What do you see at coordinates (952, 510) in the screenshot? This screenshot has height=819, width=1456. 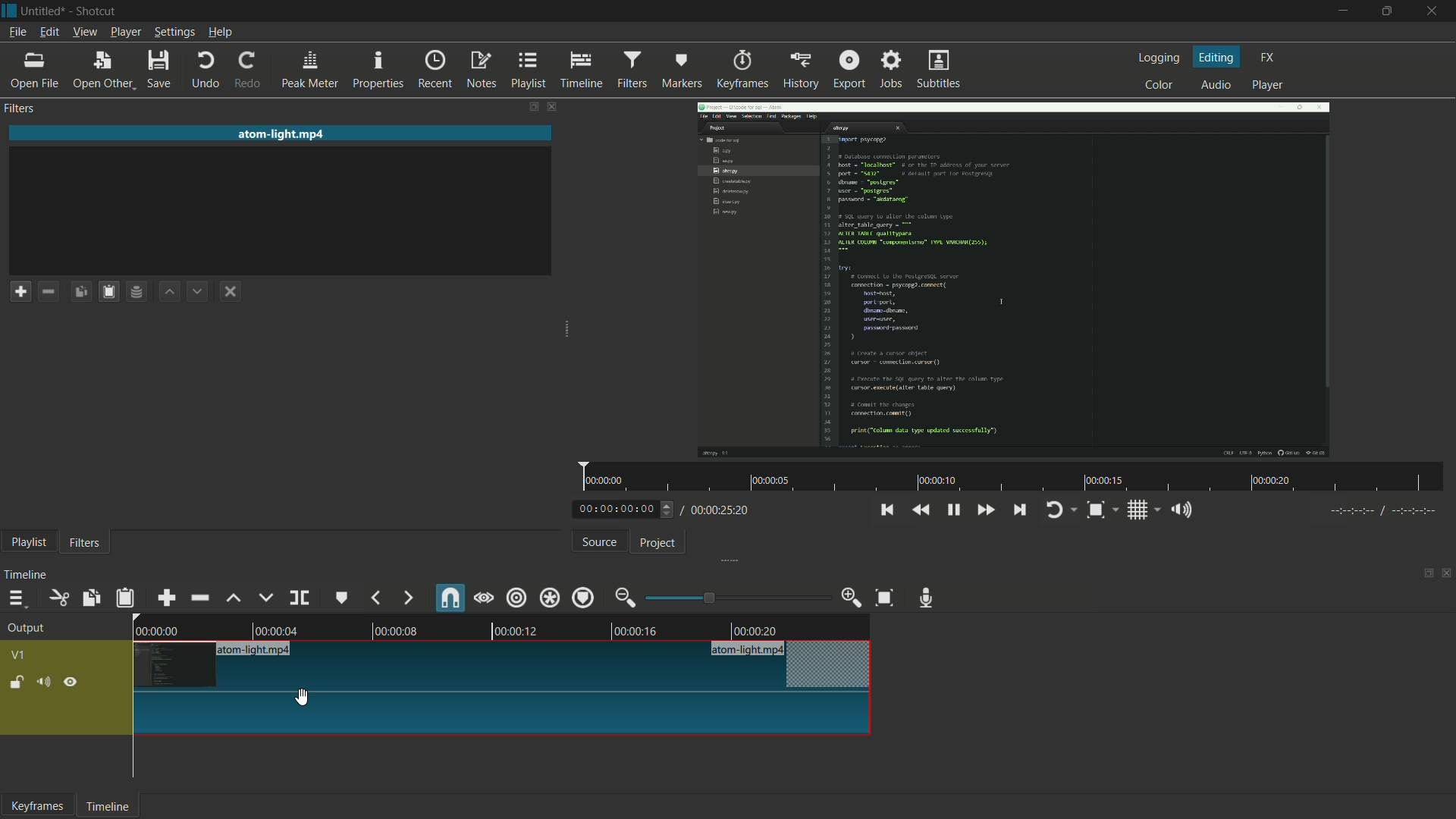 I see `toggle play or pause` at bounding box center [952, 510].